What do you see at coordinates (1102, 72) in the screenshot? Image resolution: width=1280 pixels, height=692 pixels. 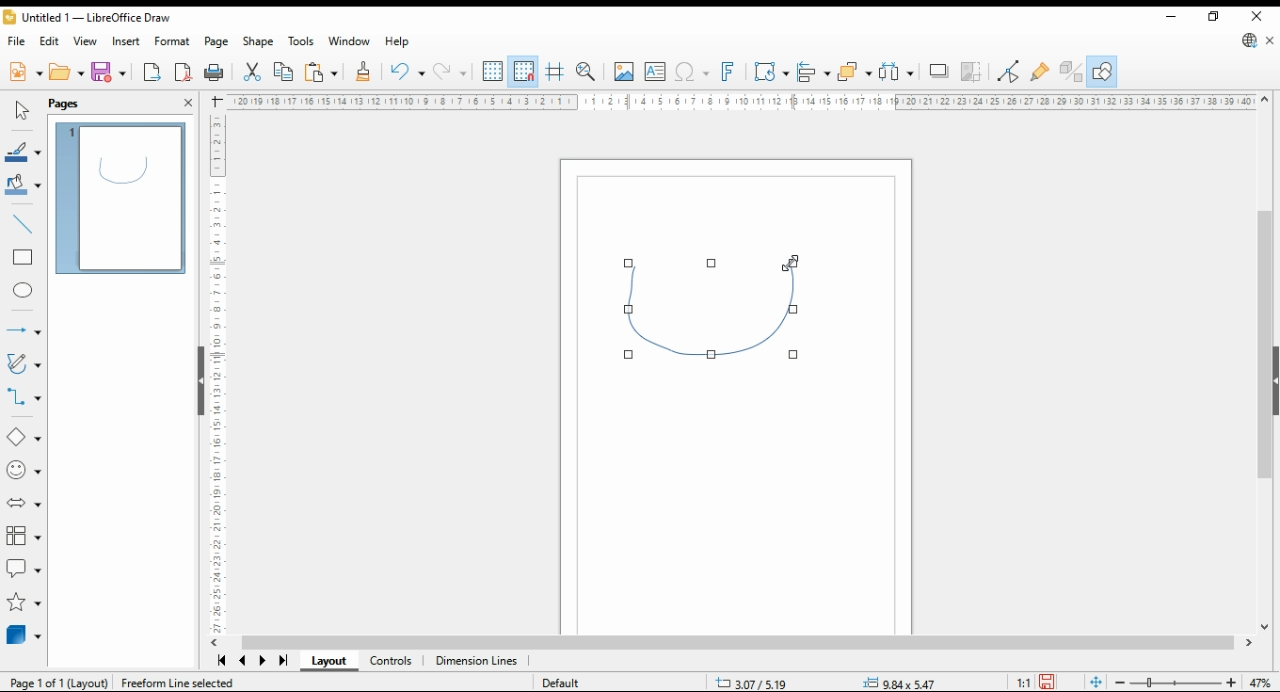 I see `show draw functions` at bounding box center [1102, 72].